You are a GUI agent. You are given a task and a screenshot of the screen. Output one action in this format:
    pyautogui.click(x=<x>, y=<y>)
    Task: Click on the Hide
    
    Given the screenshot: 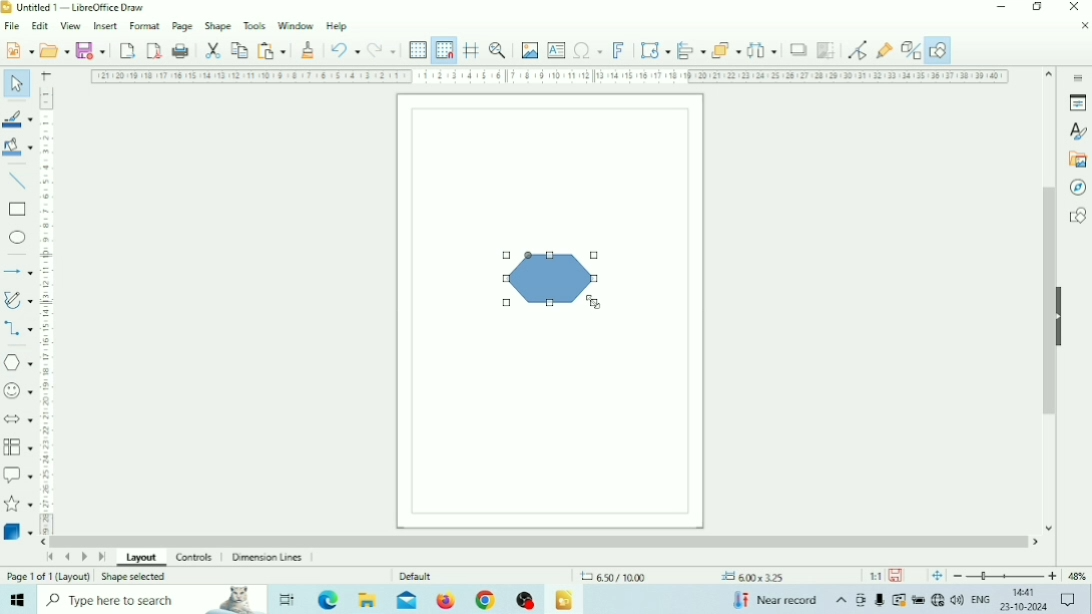 What is the action you would take?
    pyautogui.click(x=1062, y=314)
    